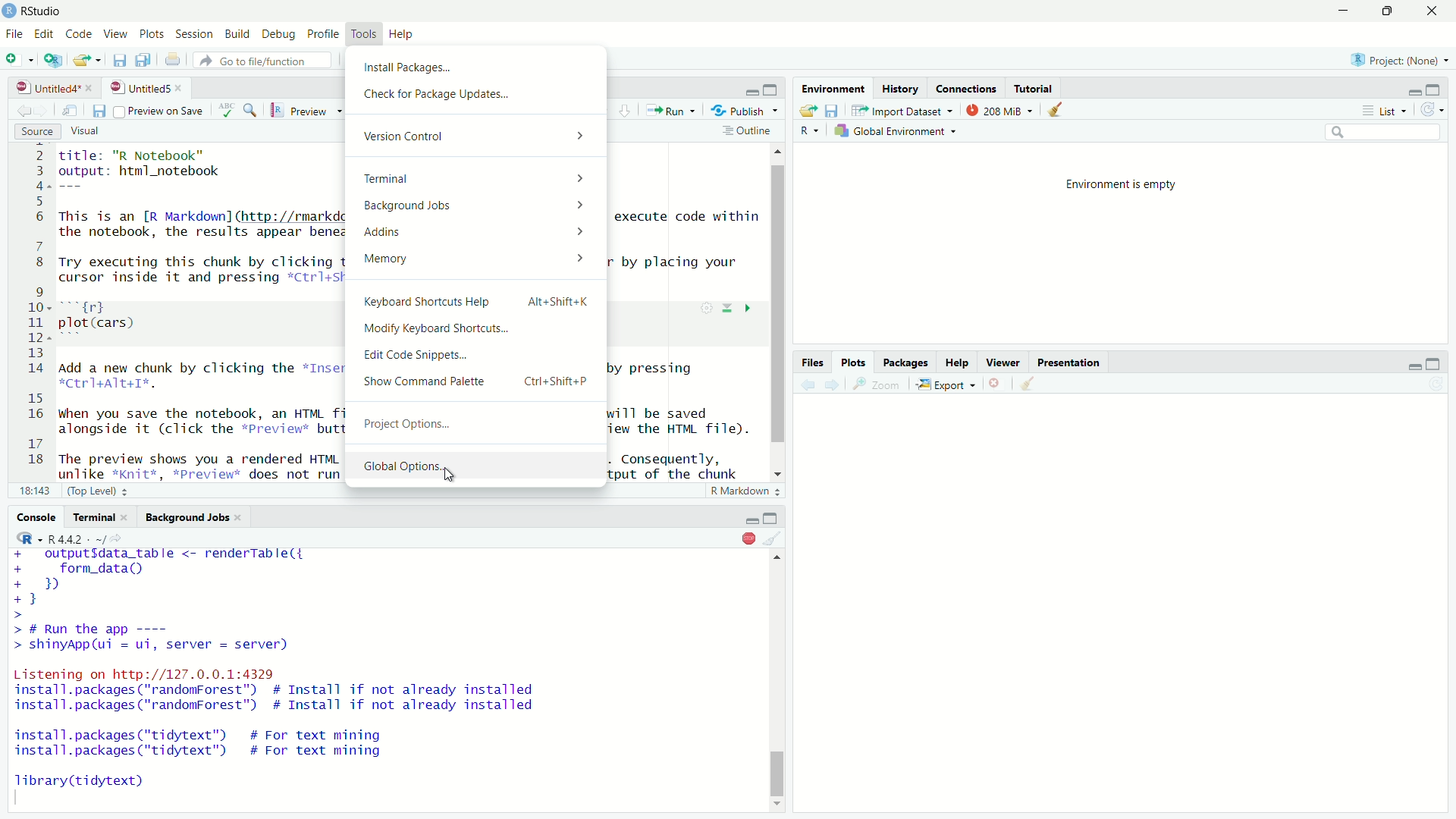 Image resolution: width=1456 pixels, height=819 pixels. What do you see at coordinates (44, 110) in the screenshot?
I see `move backward` at bounding box center [44, 110].